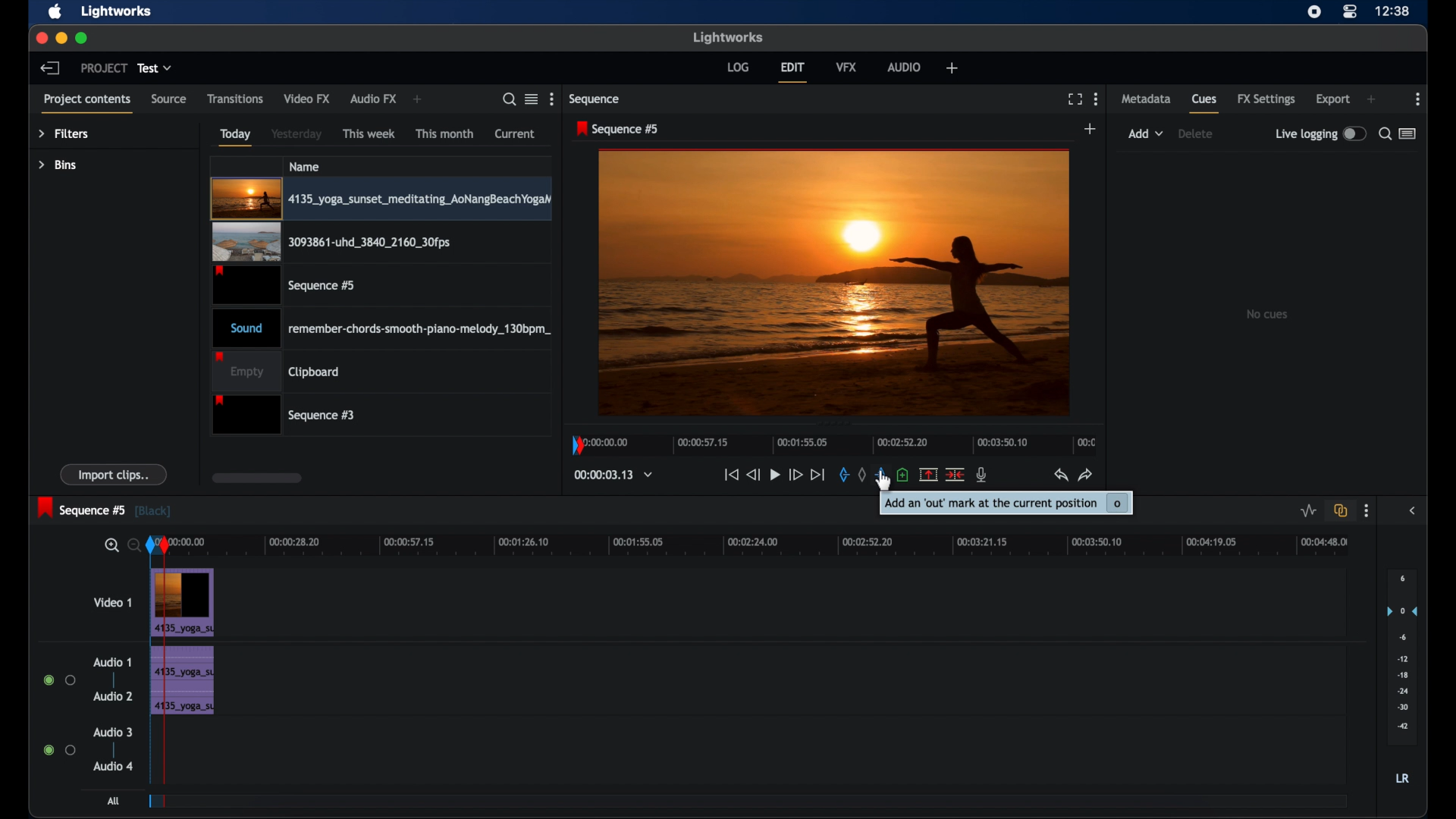  I want to click on pause , so click(774, 475).